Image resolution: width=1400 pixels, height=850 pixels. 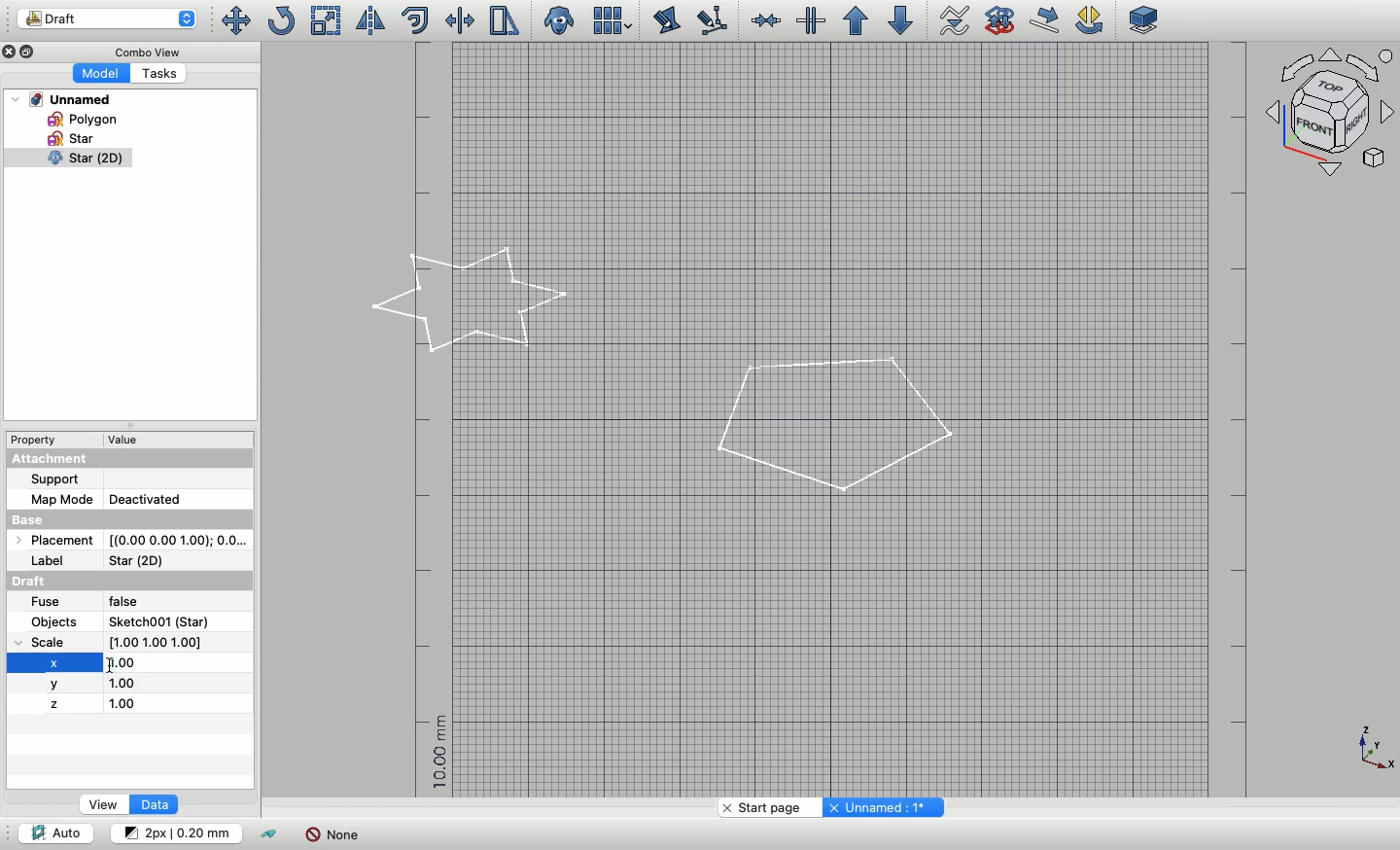 What do you see at coordinates (368, 20) in the screenshot?
I see `Mirror` at bounding box center [368, 20].